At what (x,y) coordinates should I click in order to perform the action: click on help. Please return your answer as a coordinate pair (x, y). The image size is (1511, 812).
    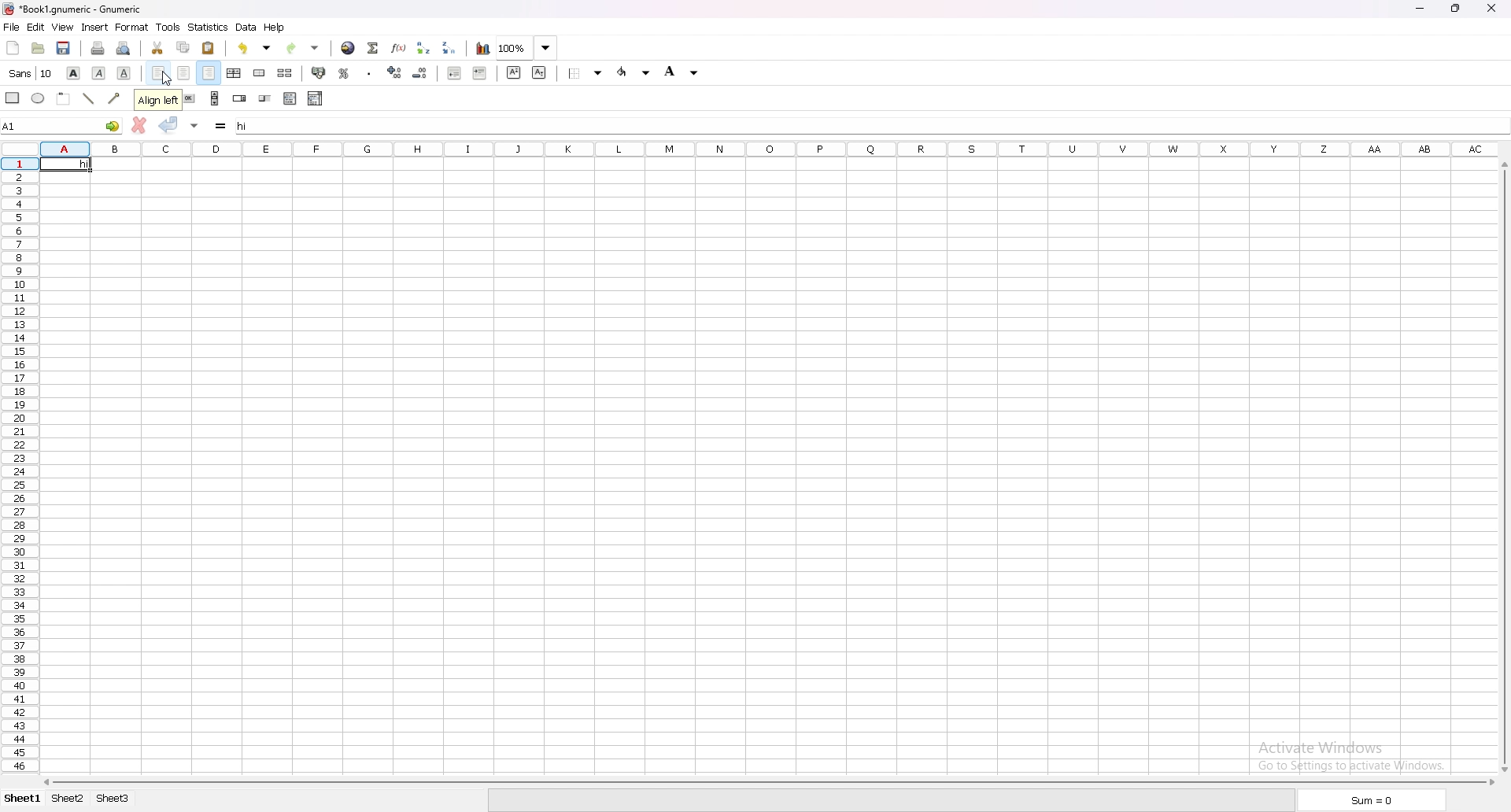
    Looking at the image, I should click on (275, 28).